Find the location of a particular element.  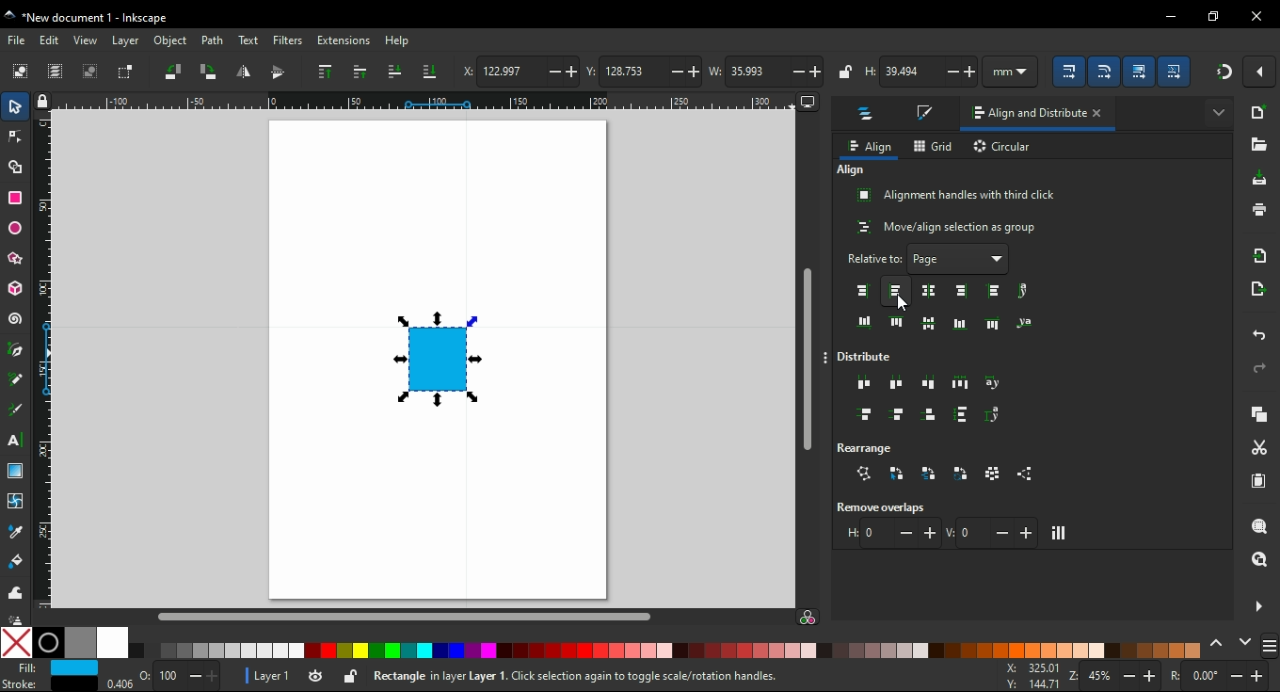

distribute horizontally with even spacing between right edges is located at coordinates (926, 385).